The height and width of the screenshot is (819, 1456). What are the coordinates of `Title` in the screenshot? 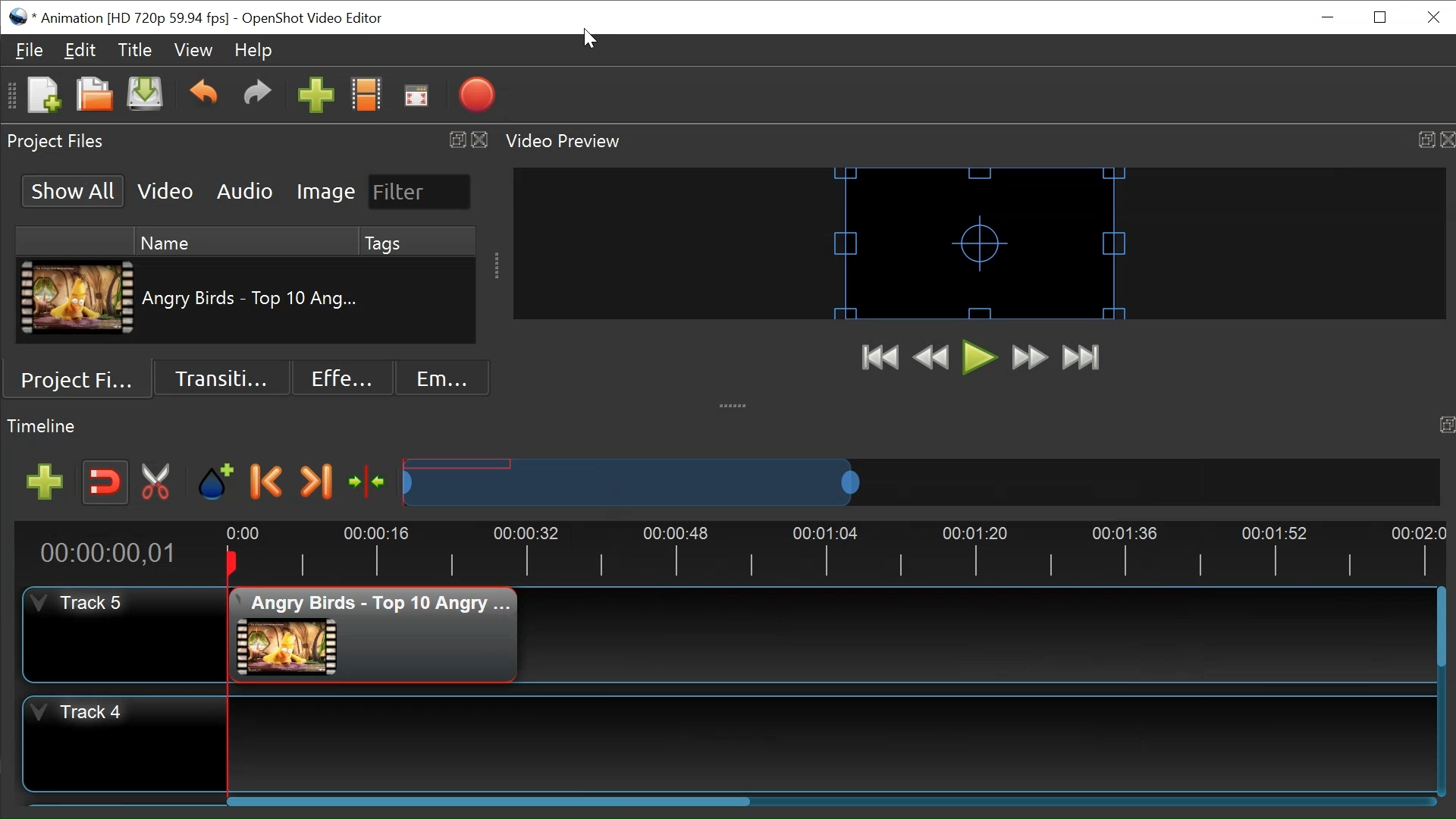 It's located at (134, 52).